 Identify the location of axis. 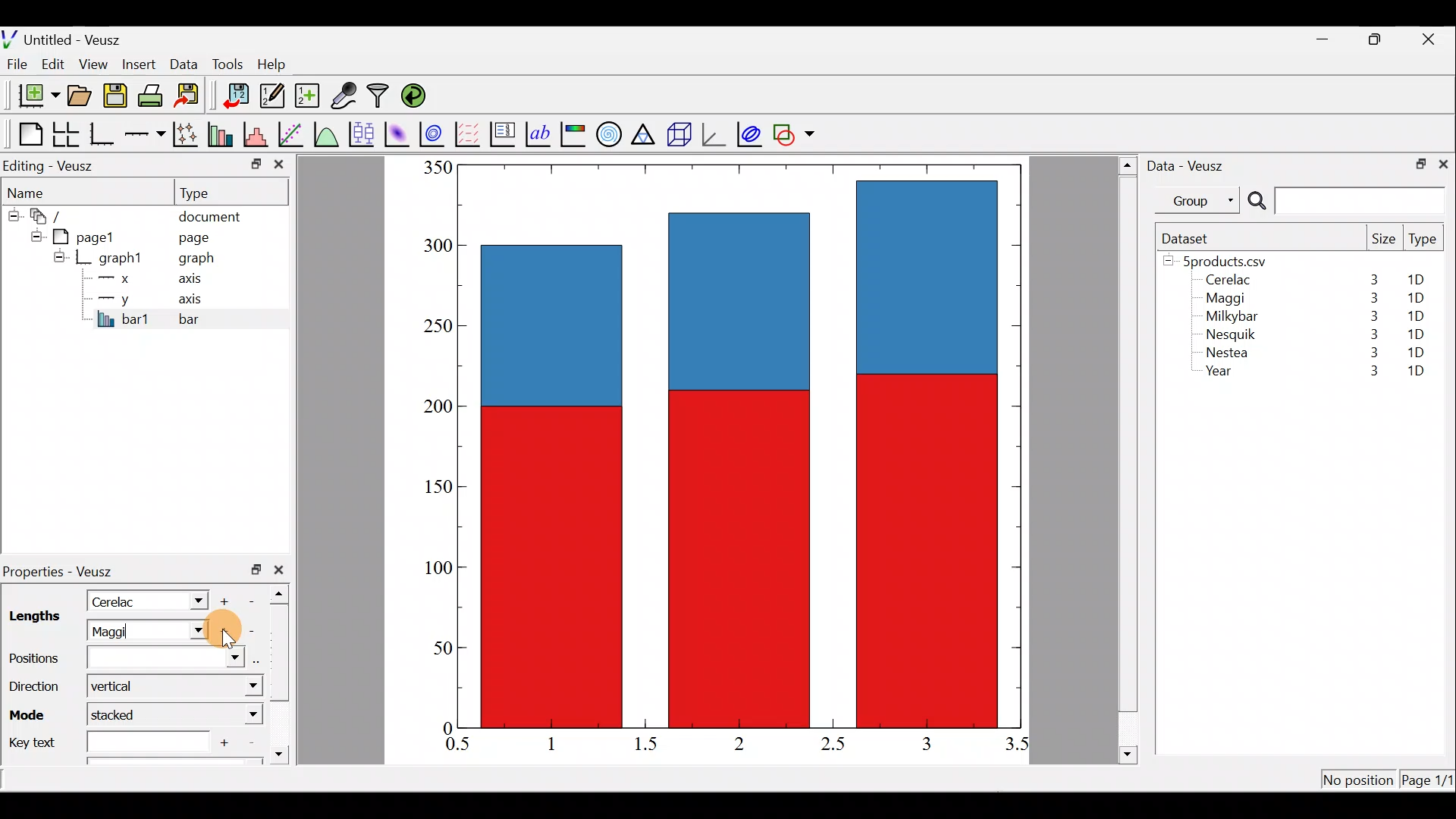
(195, 281).